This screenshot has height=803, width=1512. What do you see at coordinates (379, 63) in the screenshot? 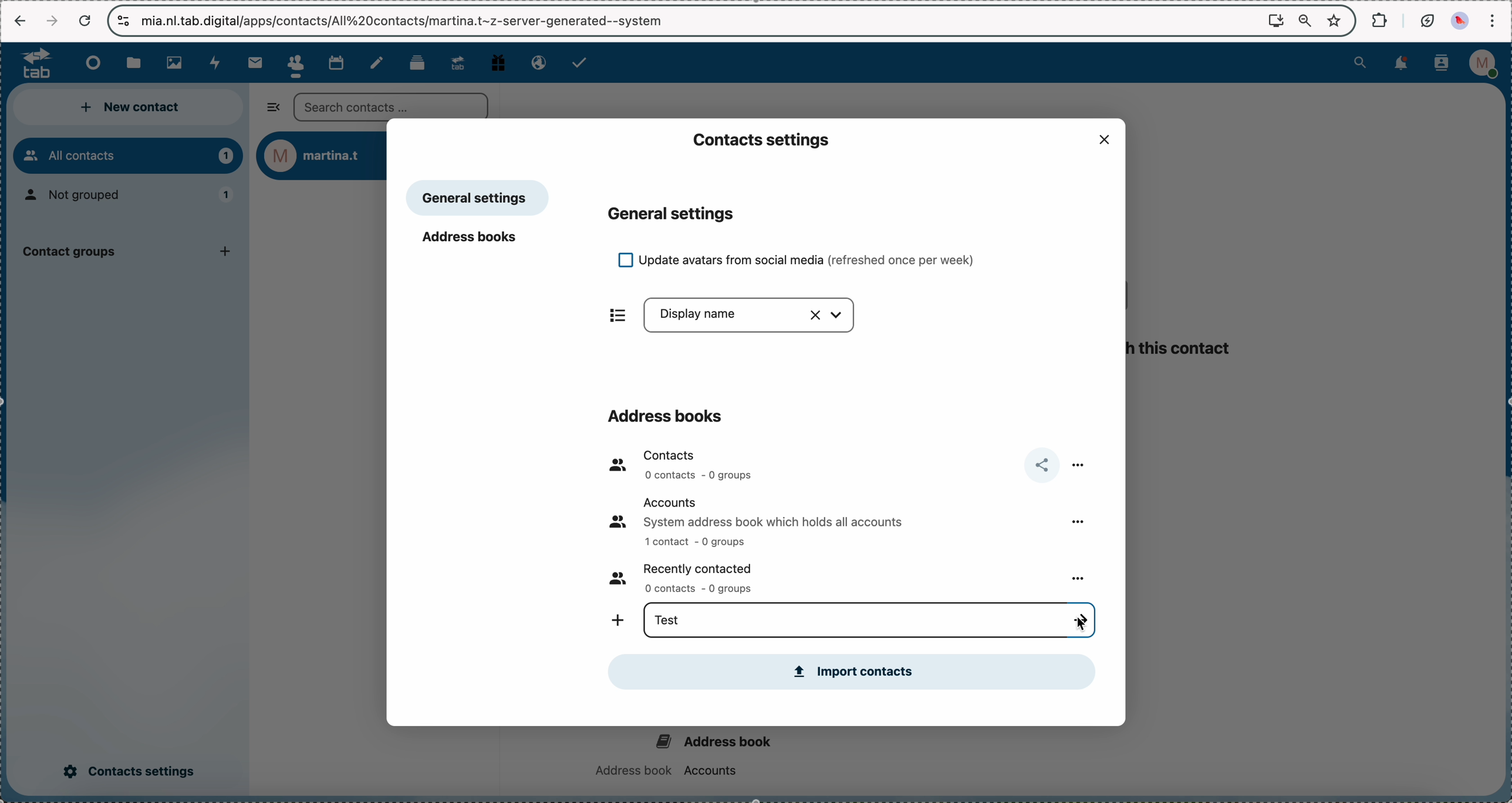
I see `notes` at bounding box center [379, 63].